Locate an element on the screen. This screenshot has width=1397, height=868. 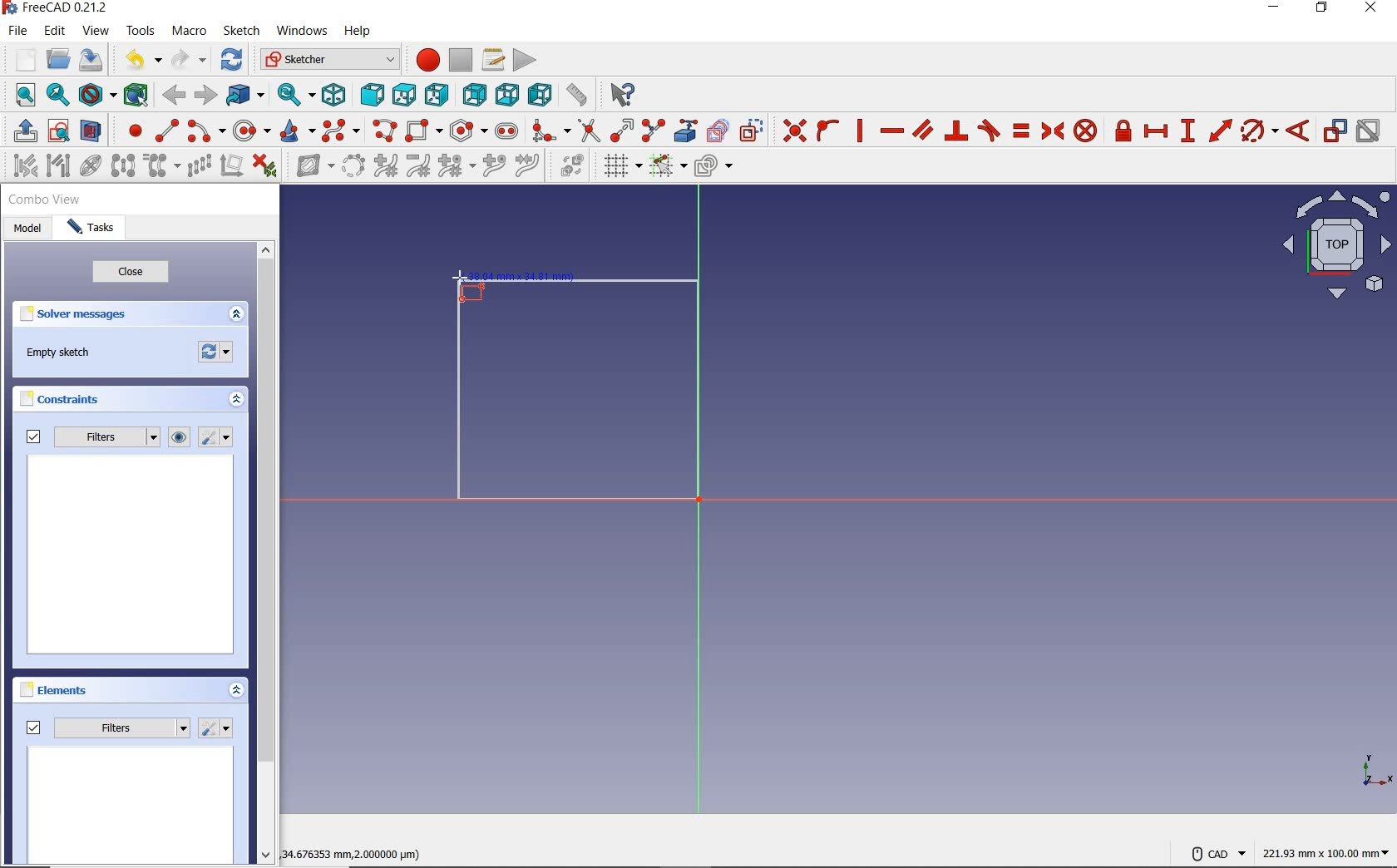
constrain horizontally is located at coordinates (891, 131).